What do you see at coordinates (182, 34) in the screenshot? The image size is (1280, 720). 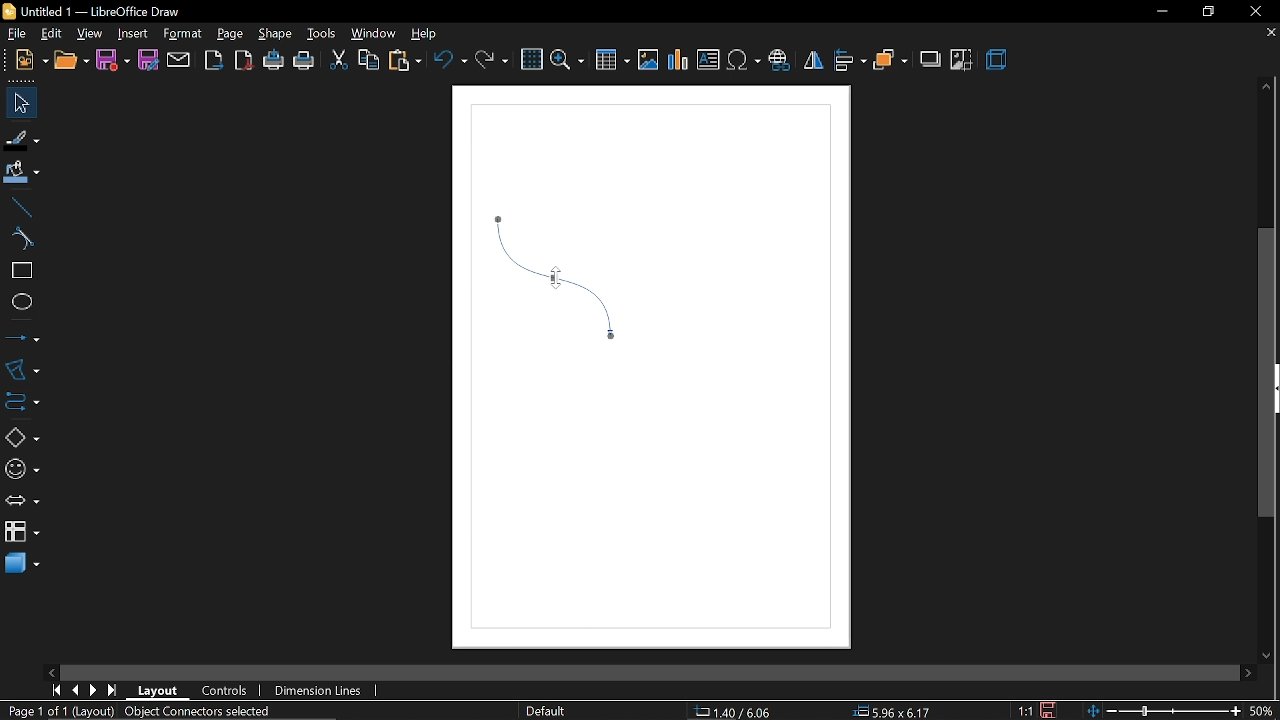 I see `format` at bounding box center [182, 34].